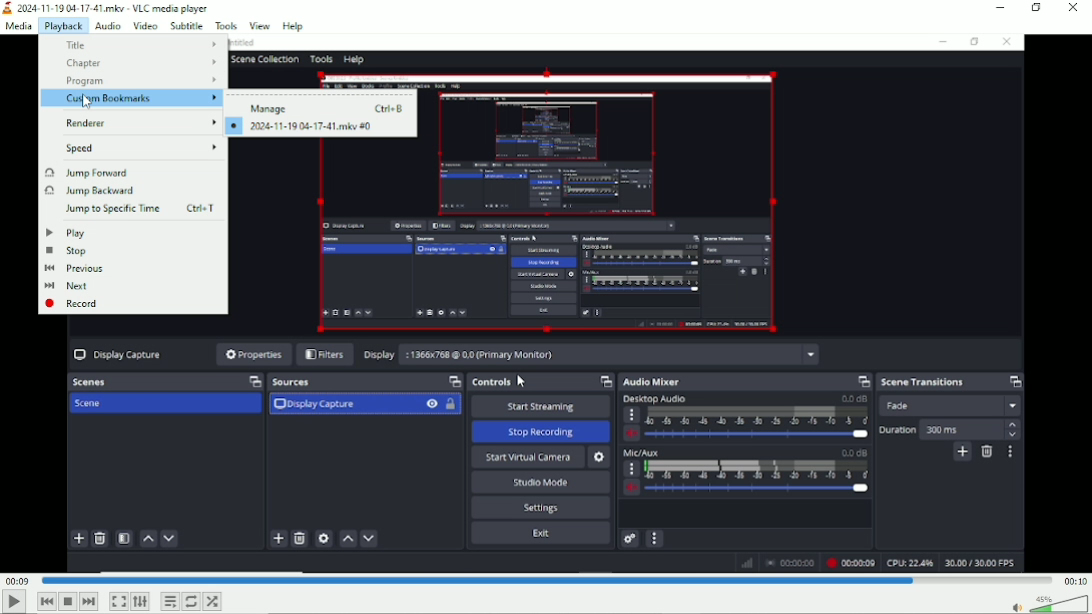 The height and width of the screenshot is (614, 1092). I want to click on Media, so click(17, 26).